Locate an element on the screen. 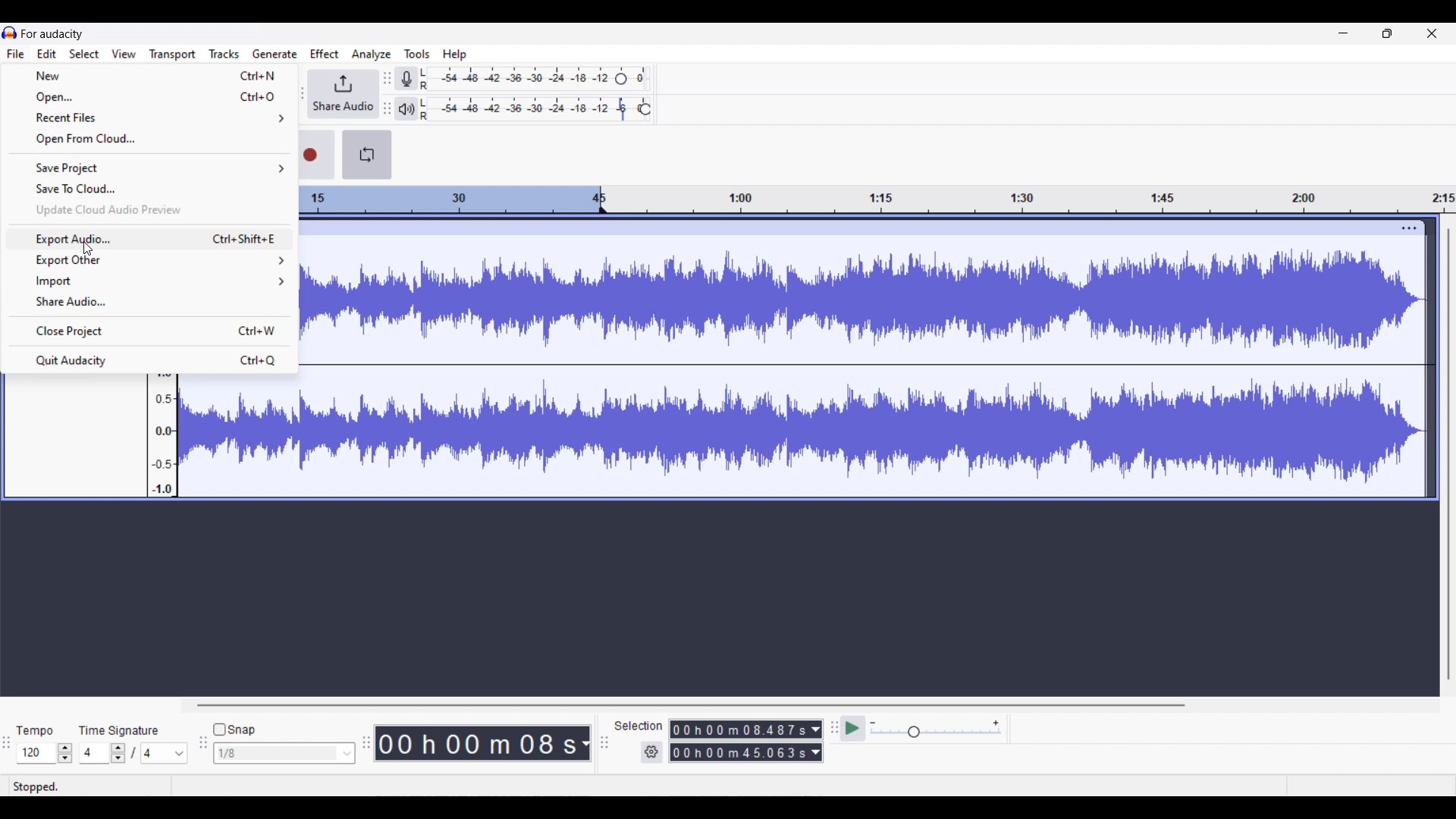 The image size is (1456, 819). Recording level is located at coordinates (516, 79).